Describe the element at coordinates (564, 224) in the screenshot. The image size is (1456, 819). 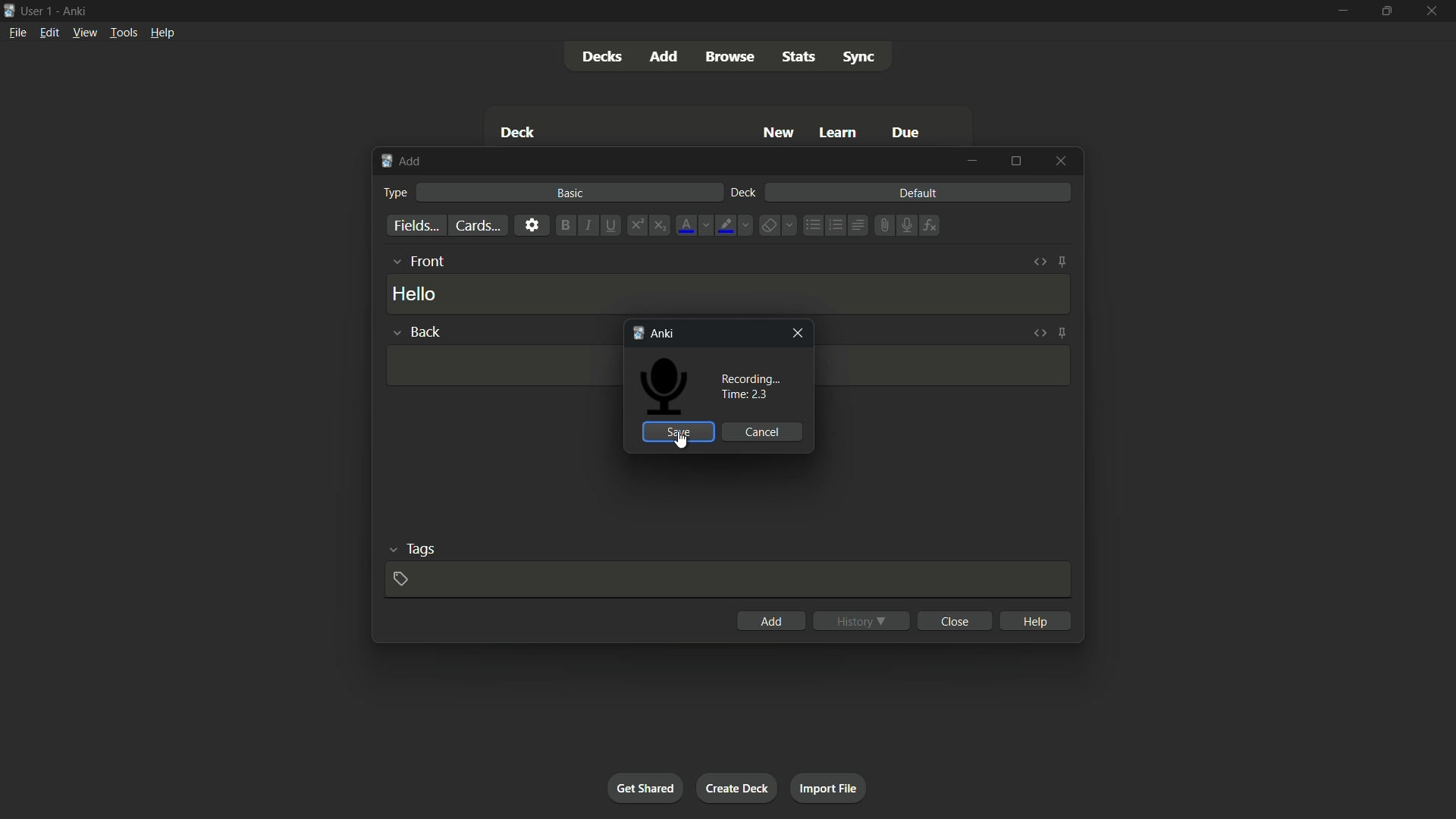
I see `bold` at that location.